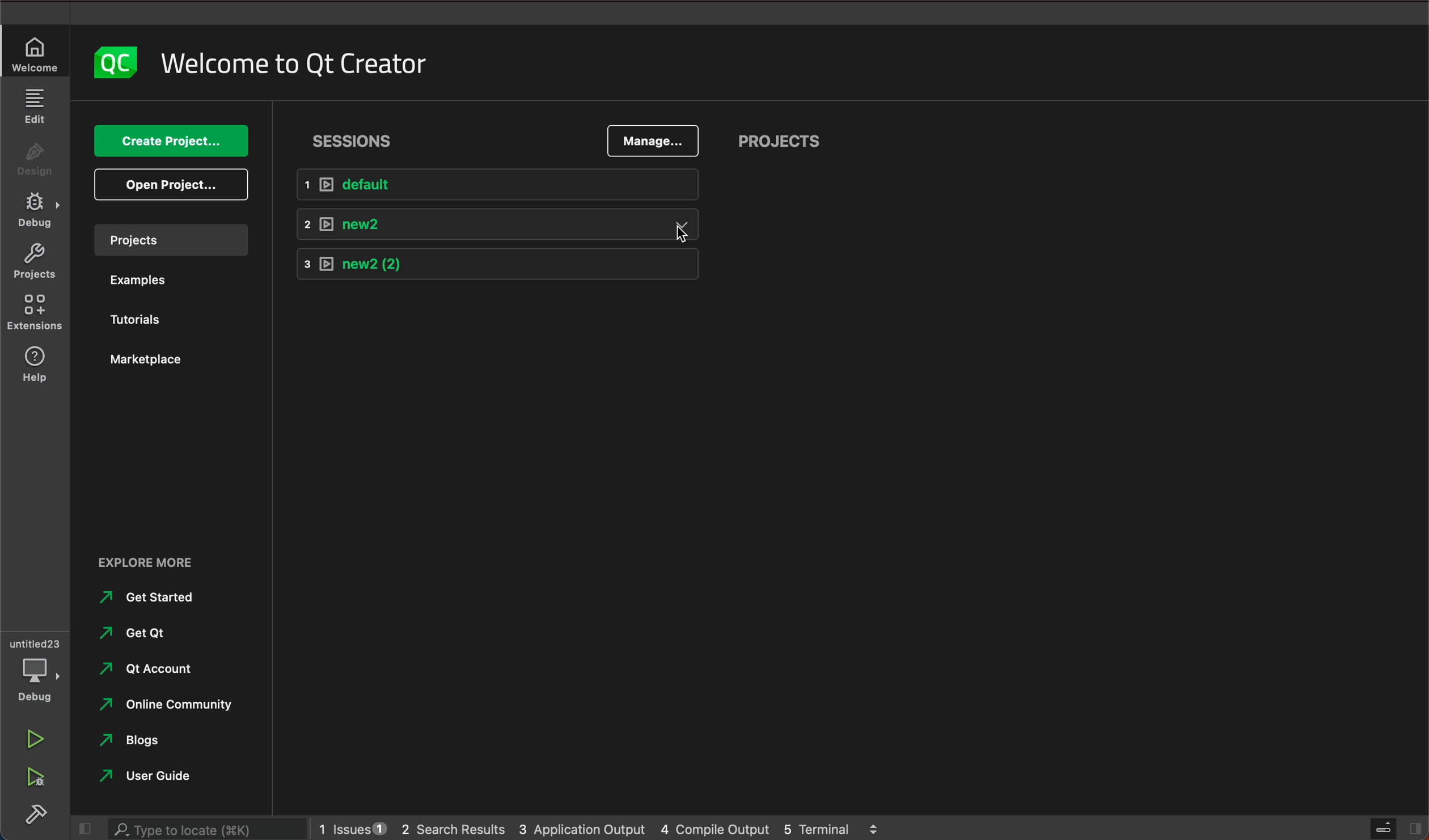 The height and width of the screenshot is (840, 1429). Describe the element at coordinates (35, 740) in the screenshot. I see `run` at that location.